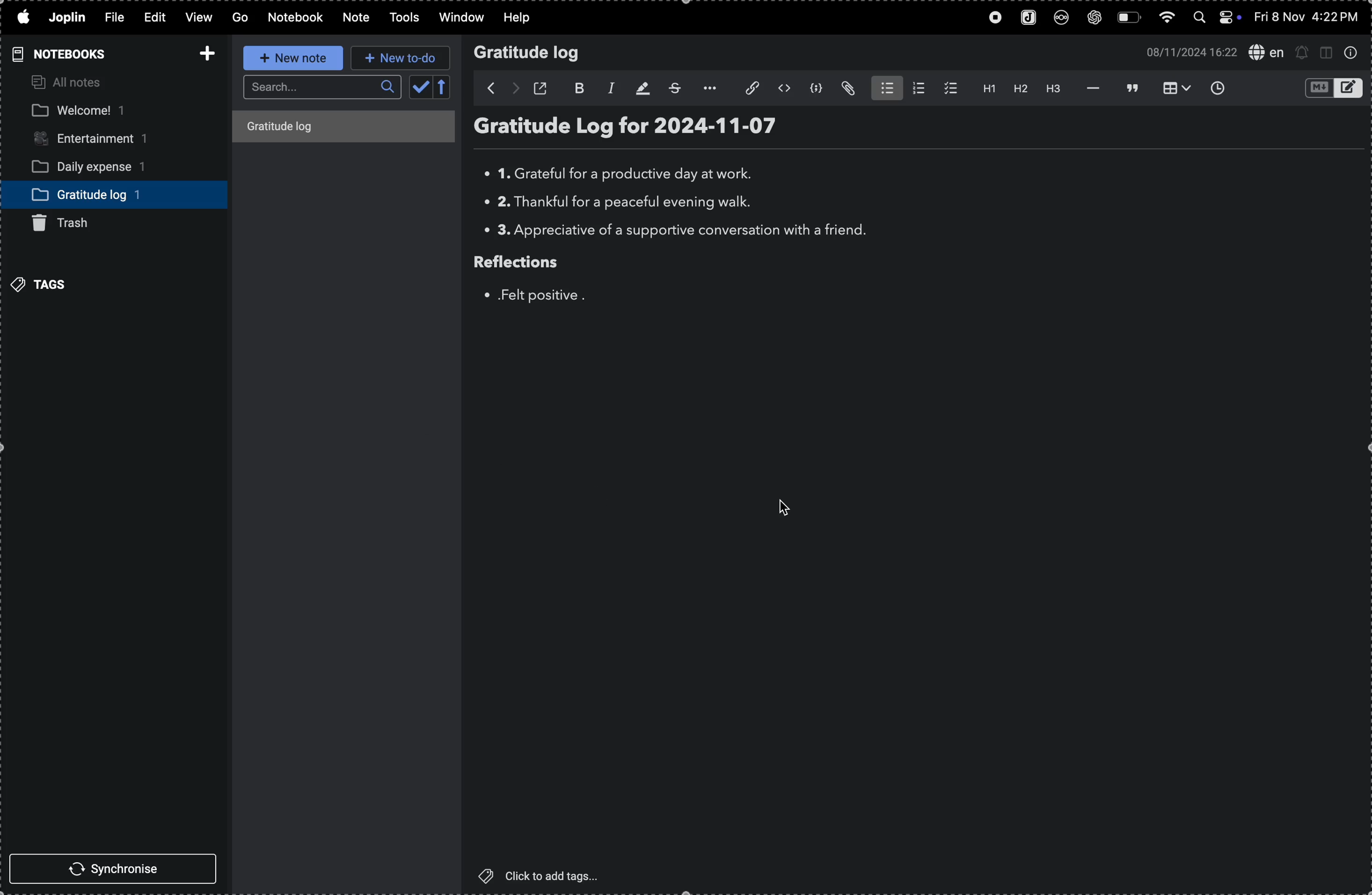 Image resolution: width=1372 pixels, height=895 pixels. Describe the element at coordinates (432, 87) in the screenshot. I see `calendar` at that location.